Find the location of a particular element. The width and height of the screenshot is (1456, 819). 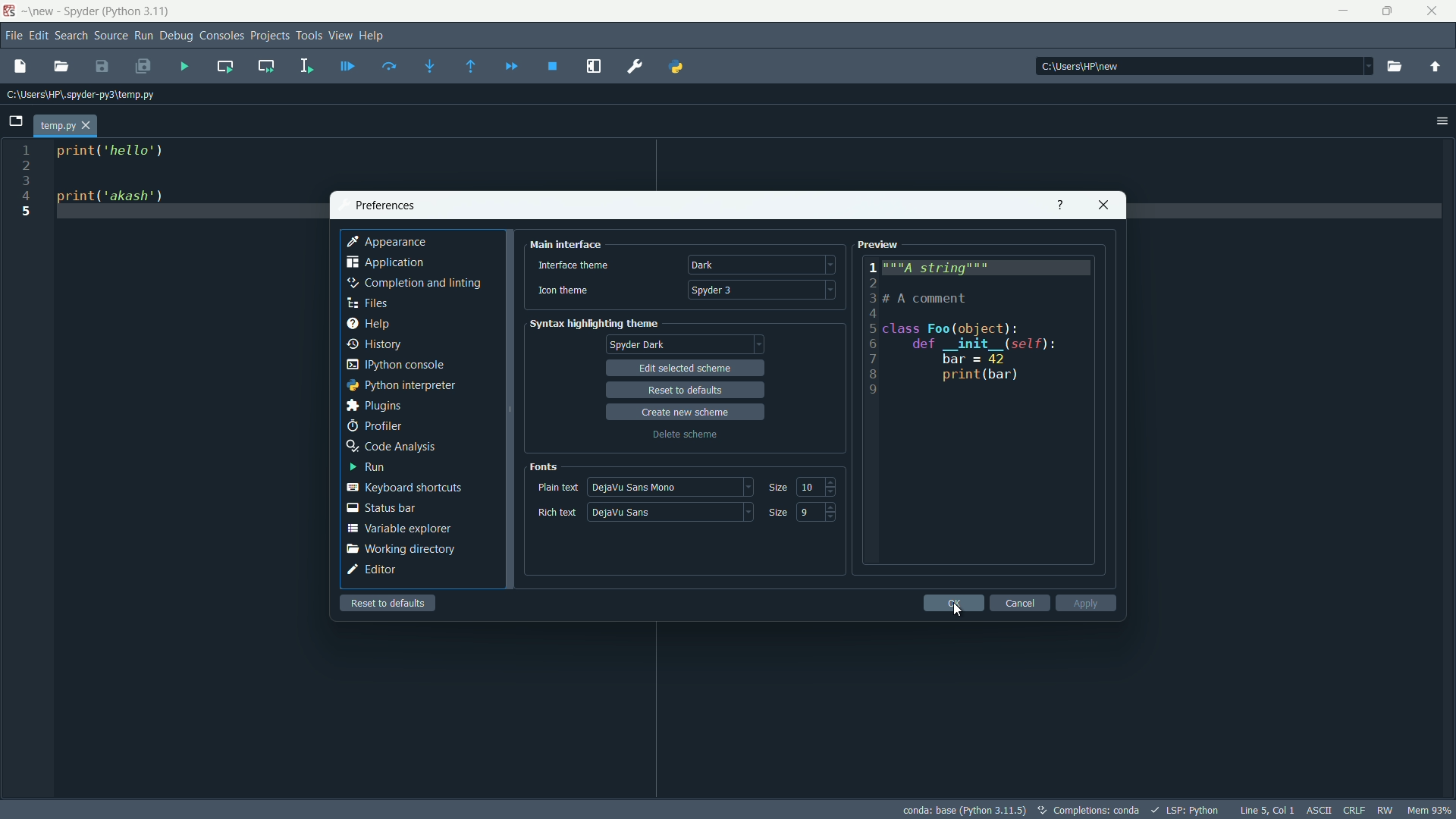

python interpreter is located at coordinates (401, 384).